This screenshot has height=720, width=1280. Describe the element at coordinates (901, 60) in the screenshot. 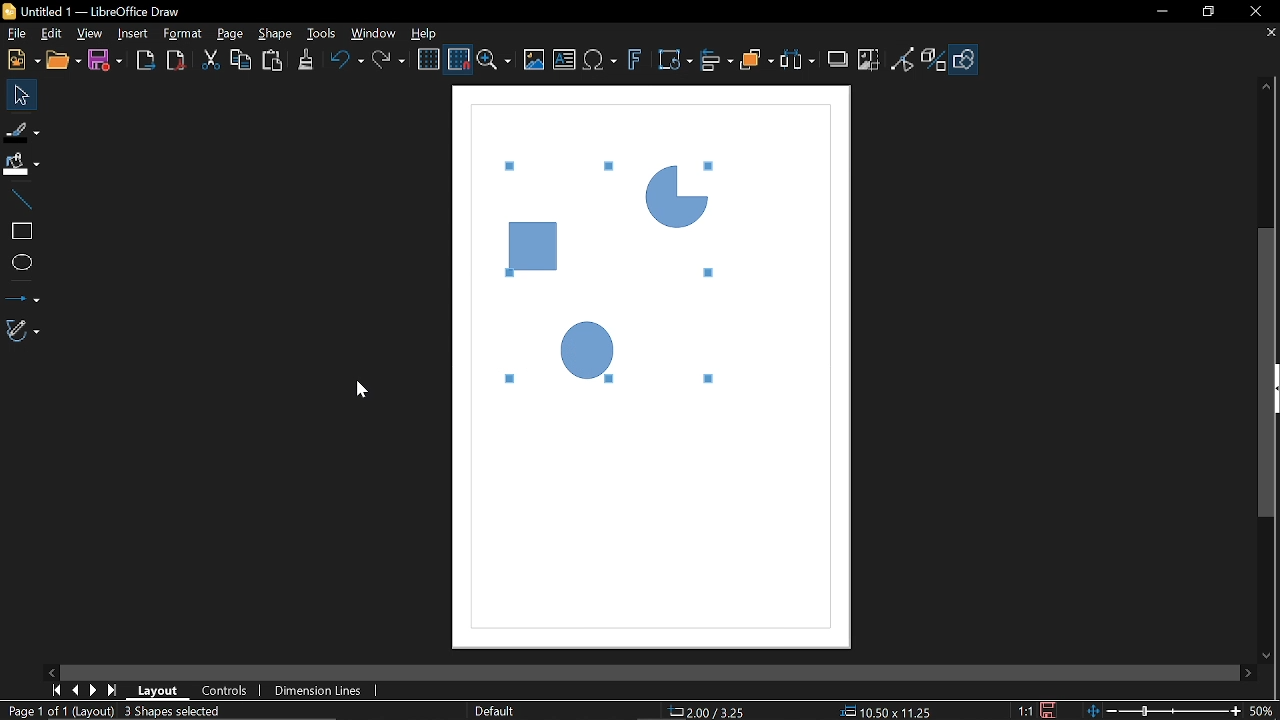

I see `Toggle point edit mode` at that location.